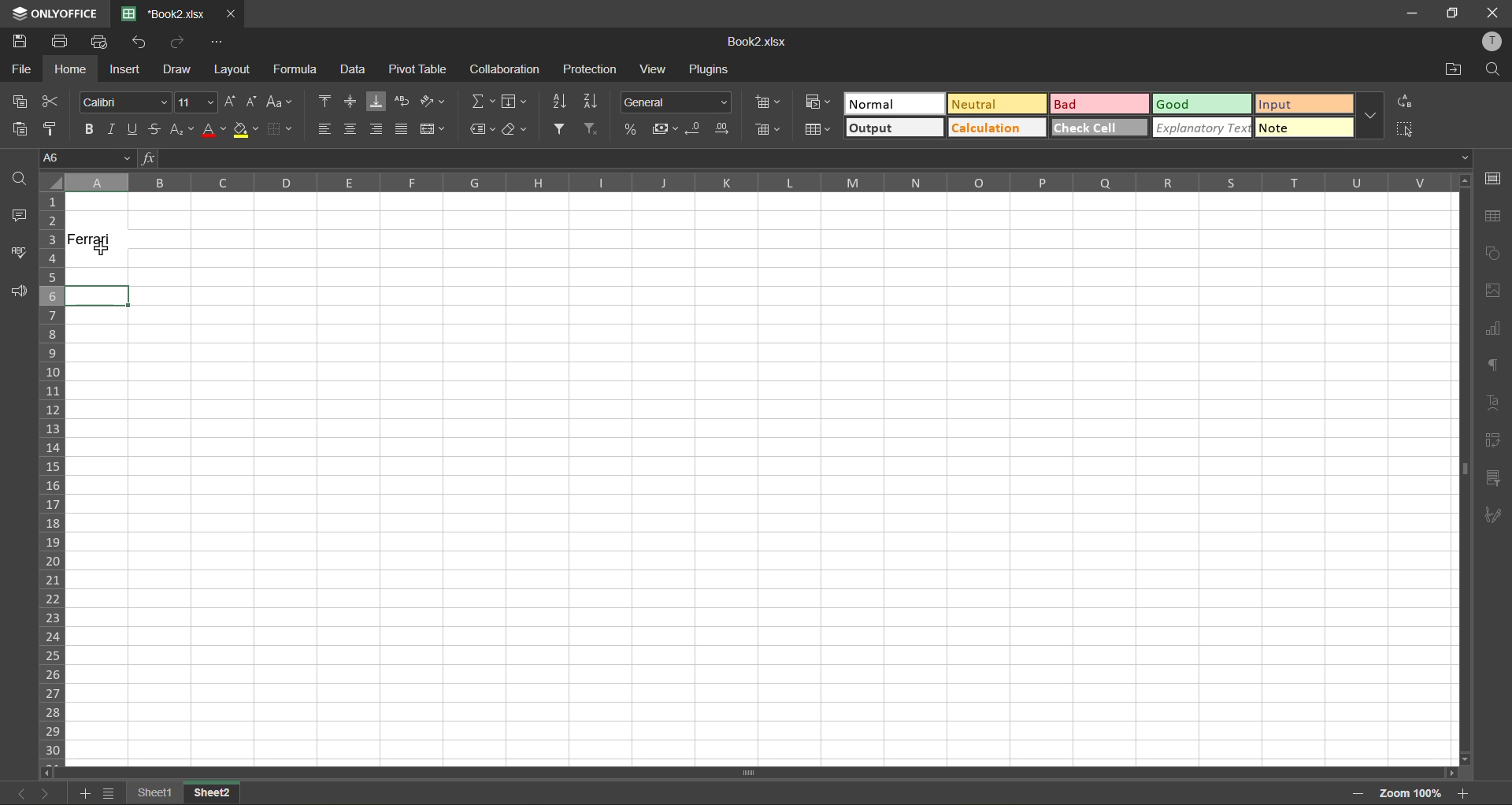  I want to click on pivot table, so click(1494, 440).